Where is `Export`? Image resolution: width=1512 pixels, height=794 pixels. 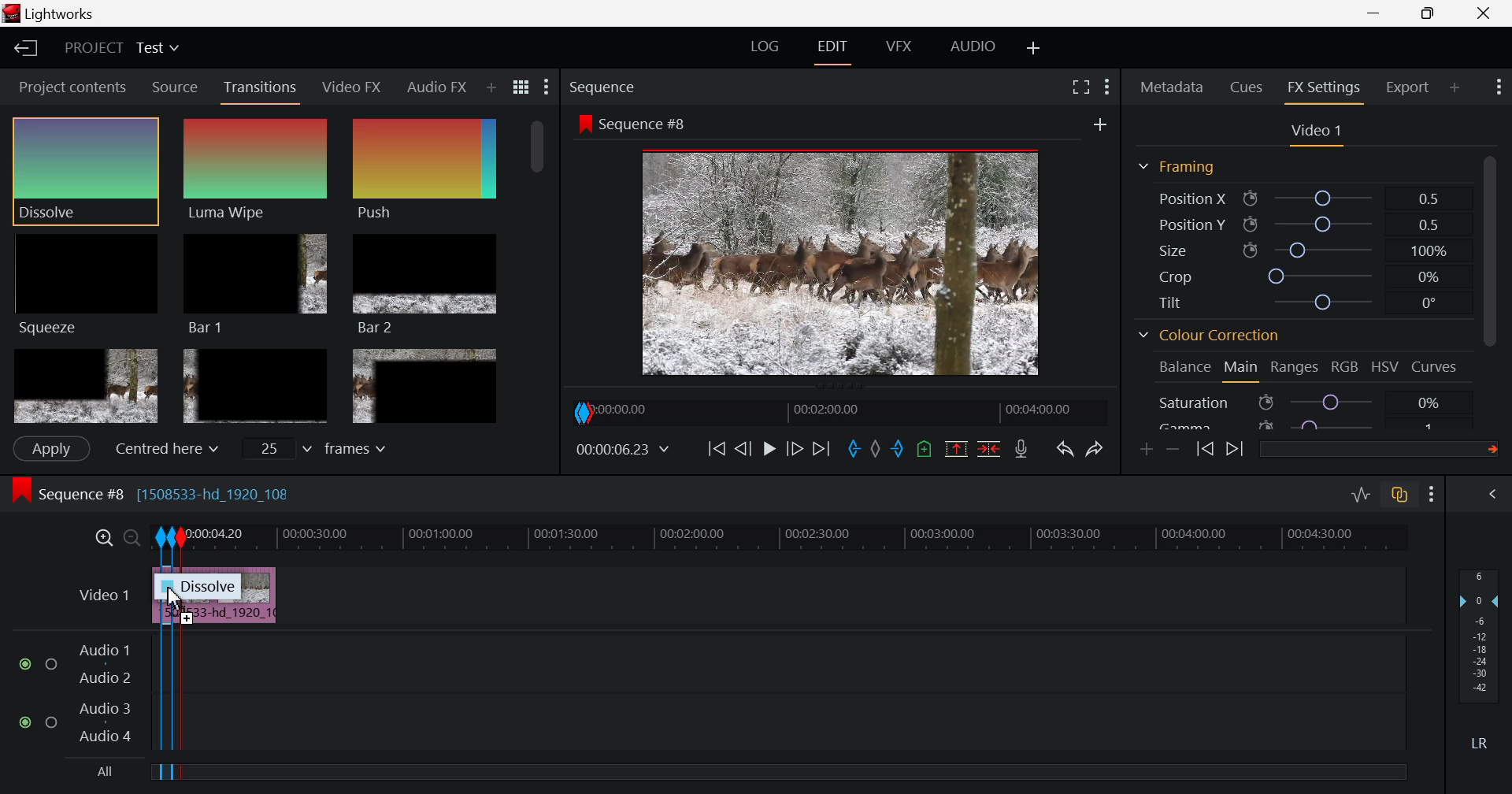 Export is located at coordinates (1409, 87).